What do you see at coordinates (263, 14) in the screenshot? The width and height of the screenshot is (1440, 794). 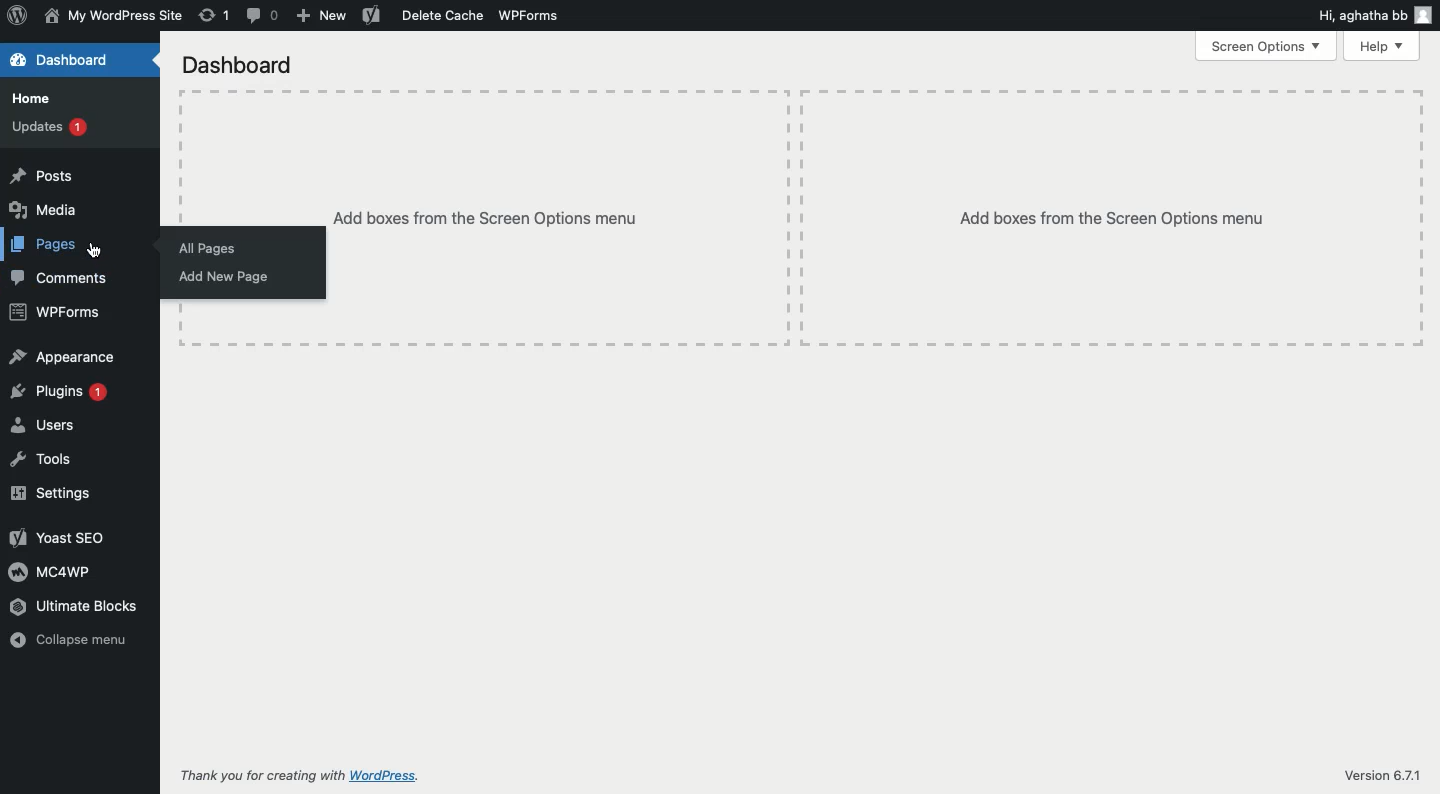 I see `Comment` at bounding box center [263, 14].